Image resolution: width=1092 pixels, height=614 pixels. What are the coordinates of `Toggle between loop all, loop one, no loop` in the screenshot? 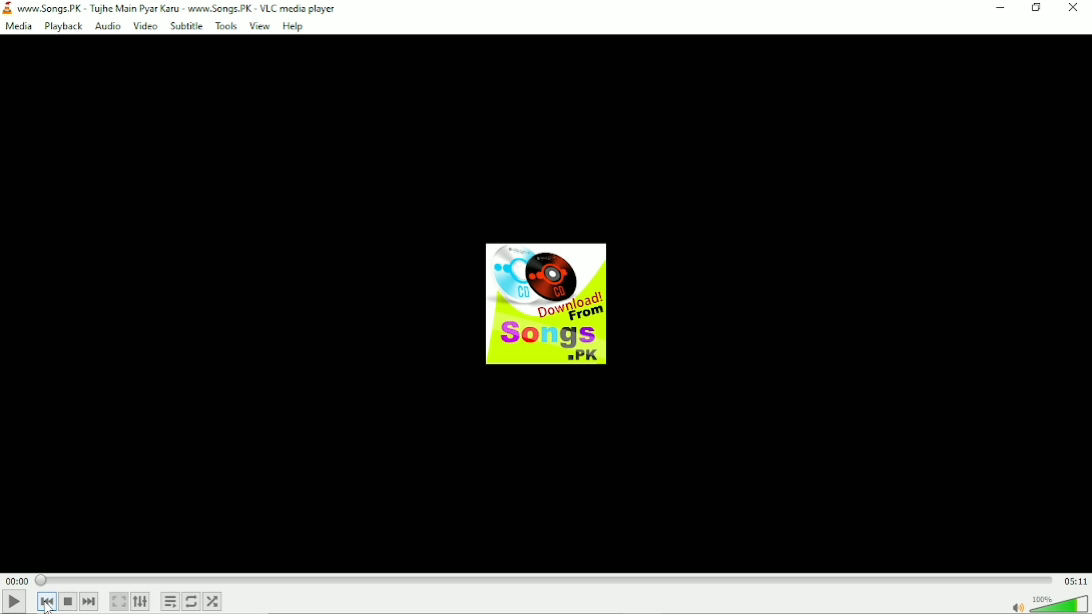 It's located at (192, 602).